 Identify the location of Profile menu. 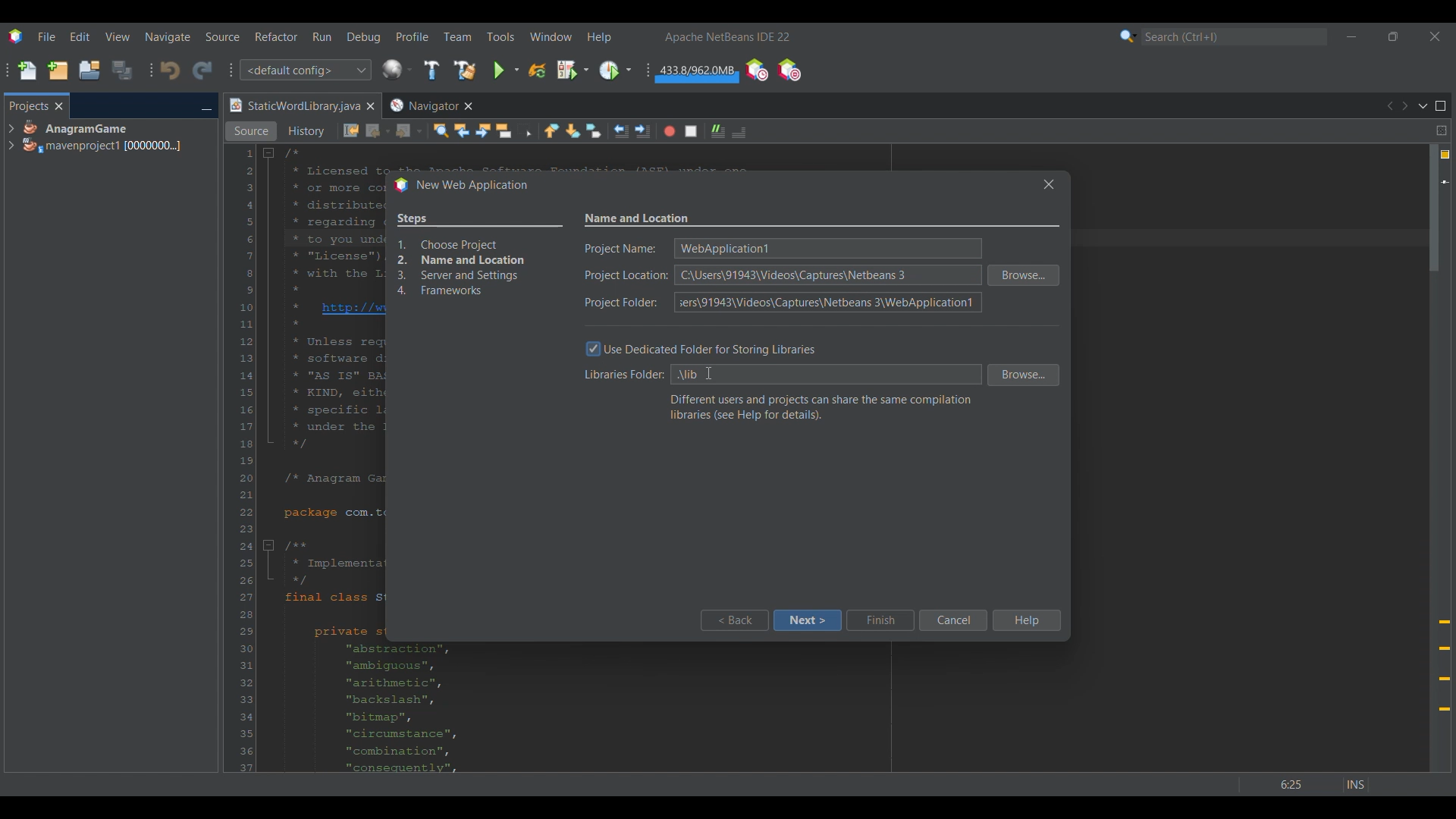
(413, 36).